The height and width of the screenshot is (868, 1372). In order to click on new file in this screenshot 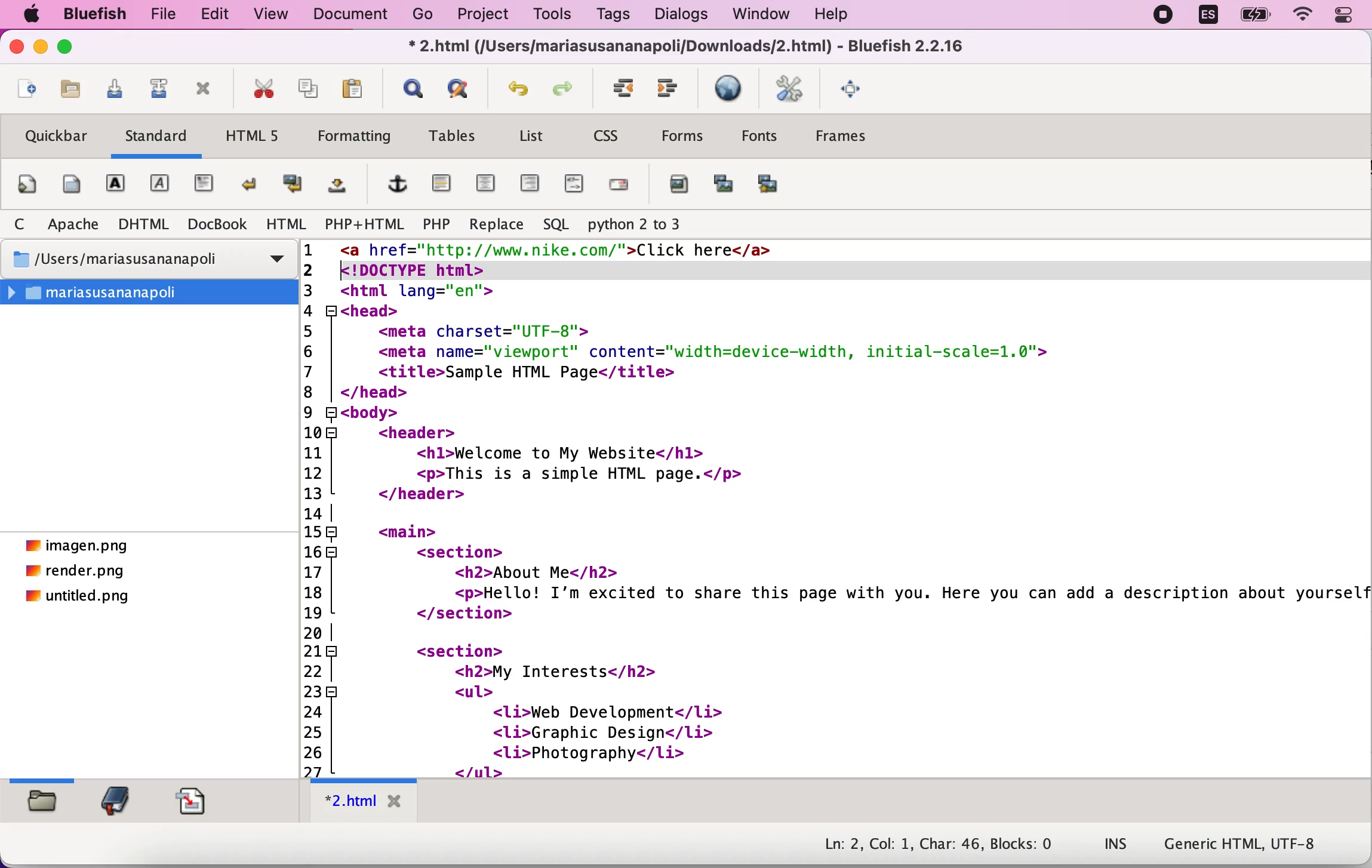, I will do `click(27, 89)`.